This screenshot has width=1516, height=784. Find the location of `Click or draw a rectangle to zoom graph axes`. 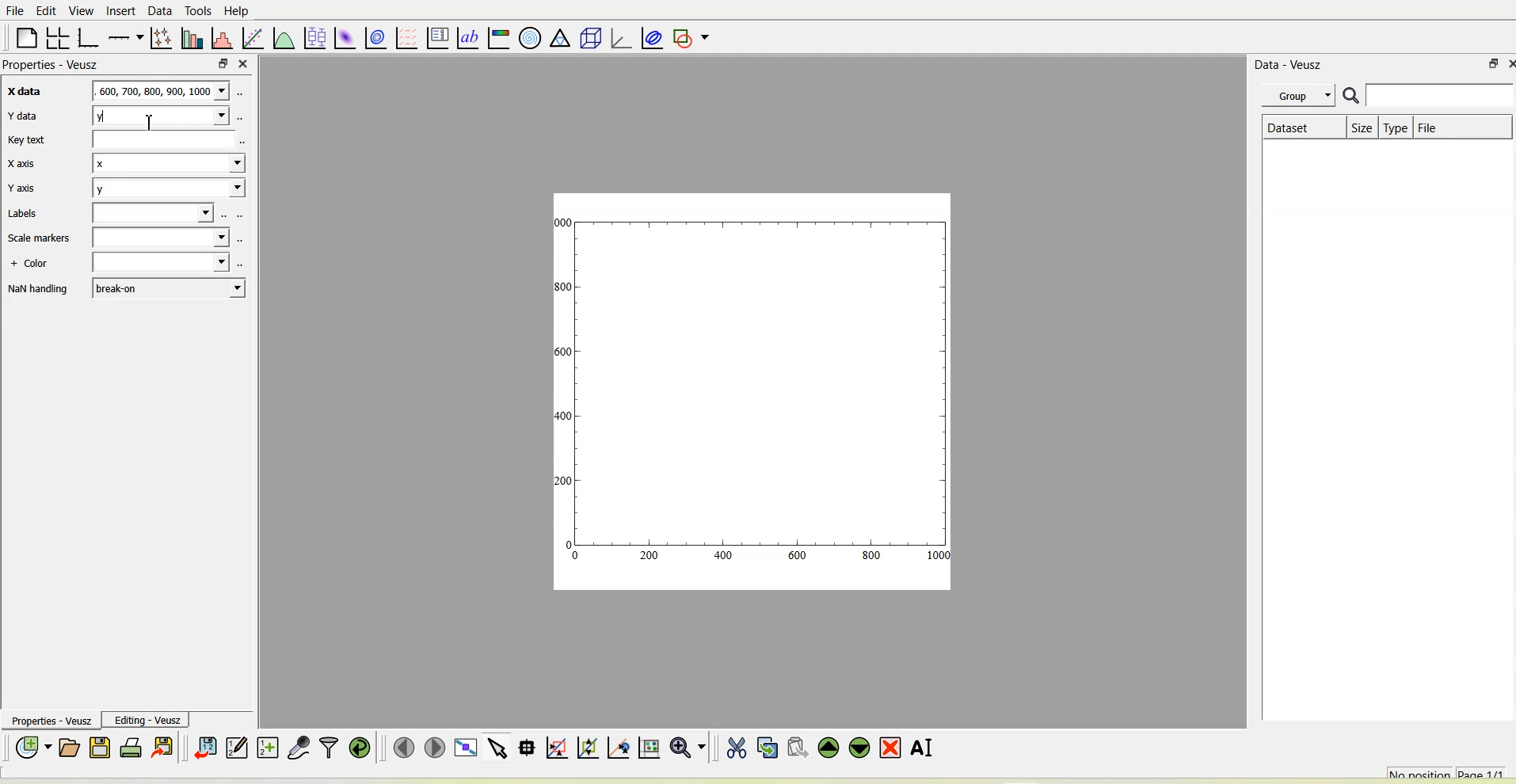

Click or draw a rectangle to zoom graph axes is located at coordinates (558, 748).